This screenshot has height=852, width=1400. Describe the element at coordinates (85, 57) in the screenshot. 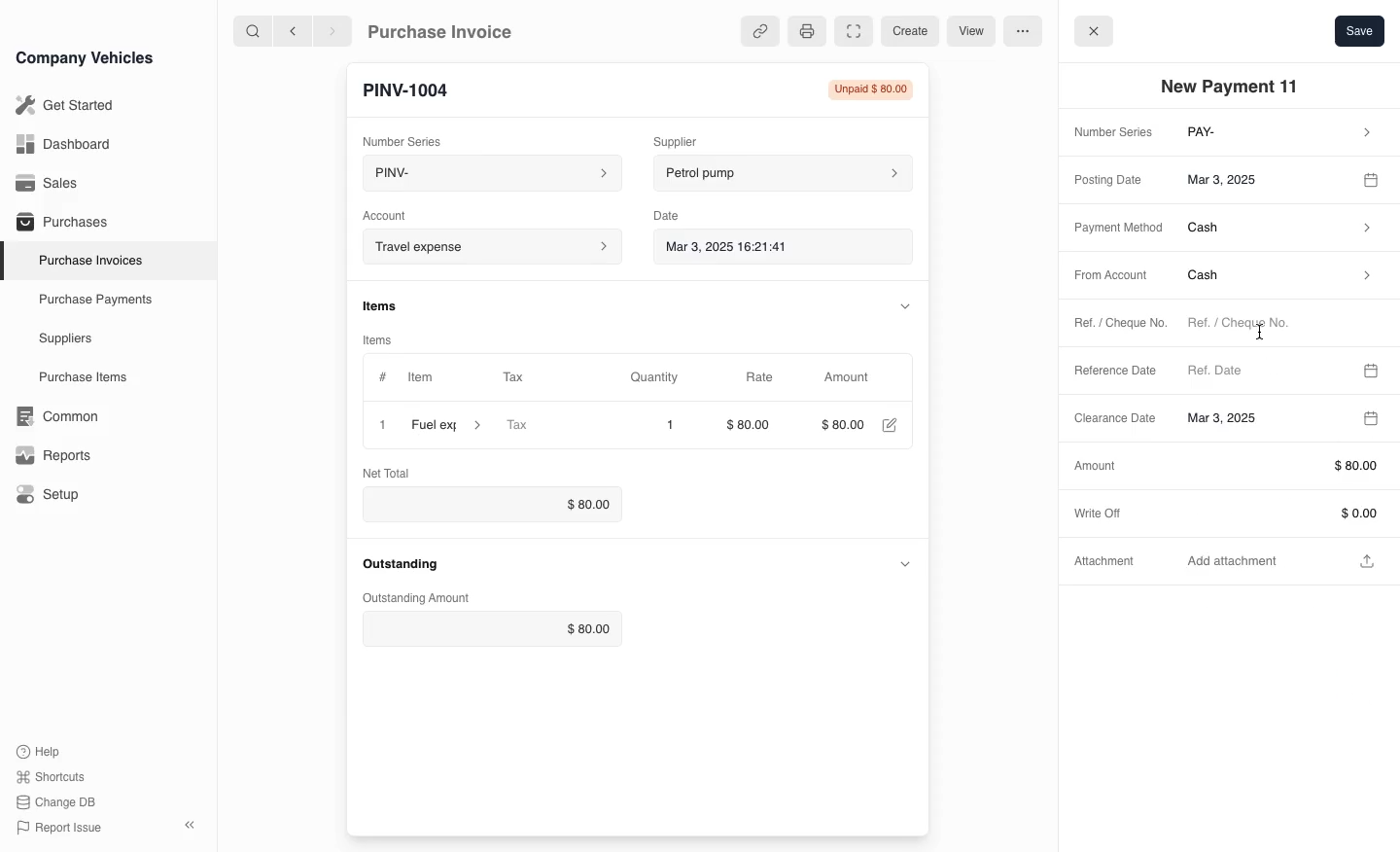

I see `Company Vehicles` at that location.